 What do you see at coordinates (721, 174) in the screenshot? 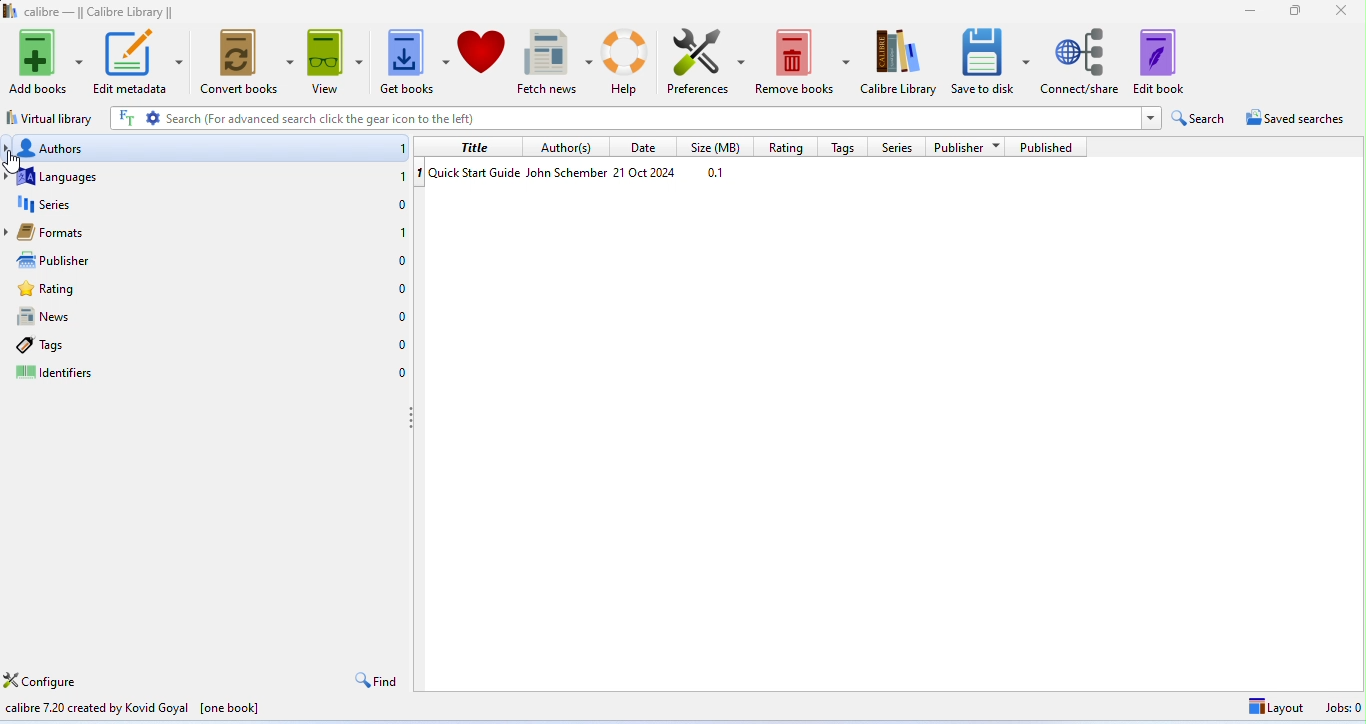
I see `size` at bounding box center [721, 174].